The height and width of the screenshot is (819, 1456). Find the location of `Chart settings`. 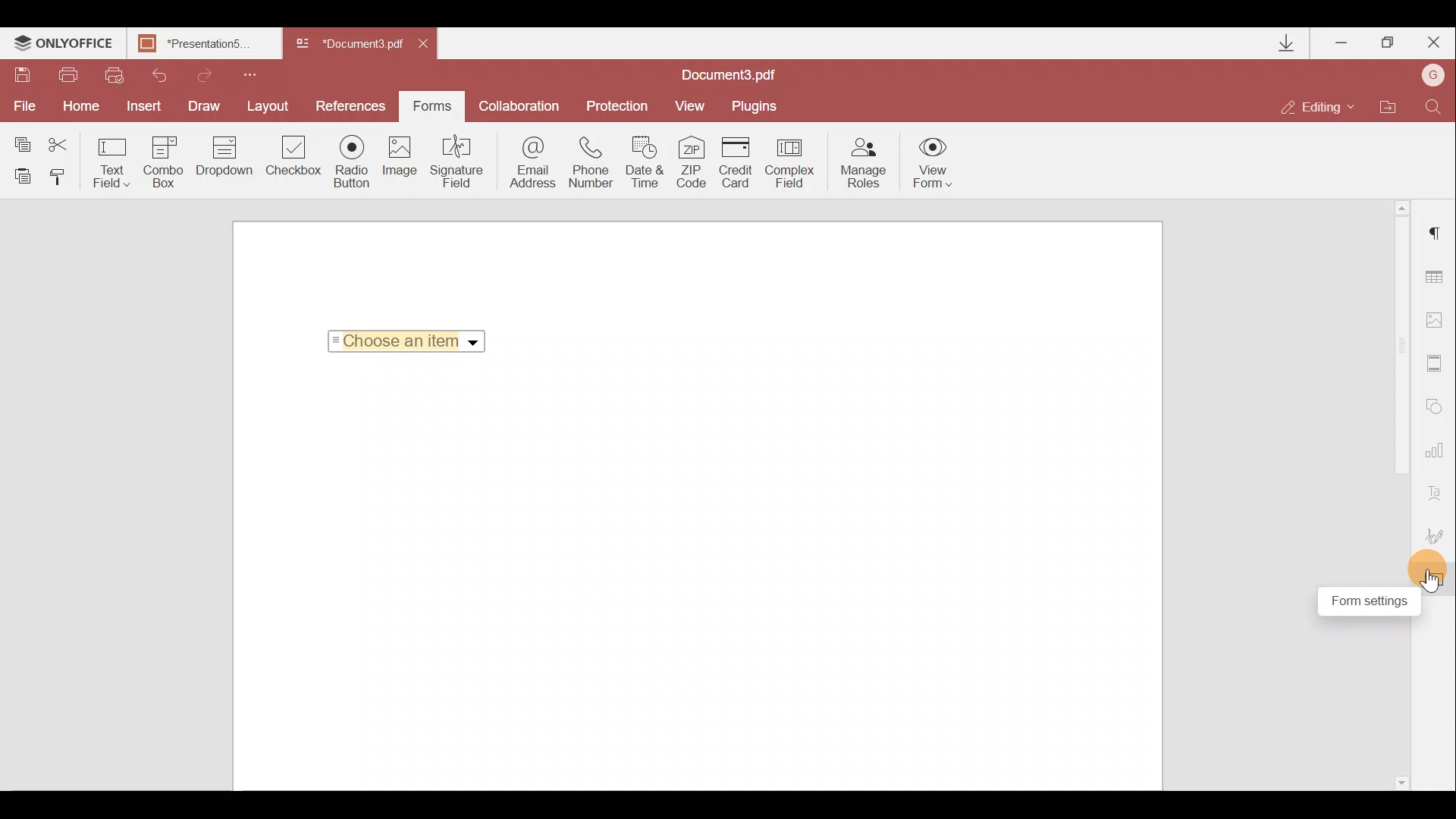

Chart settings is located at coordinates (1437, 457).